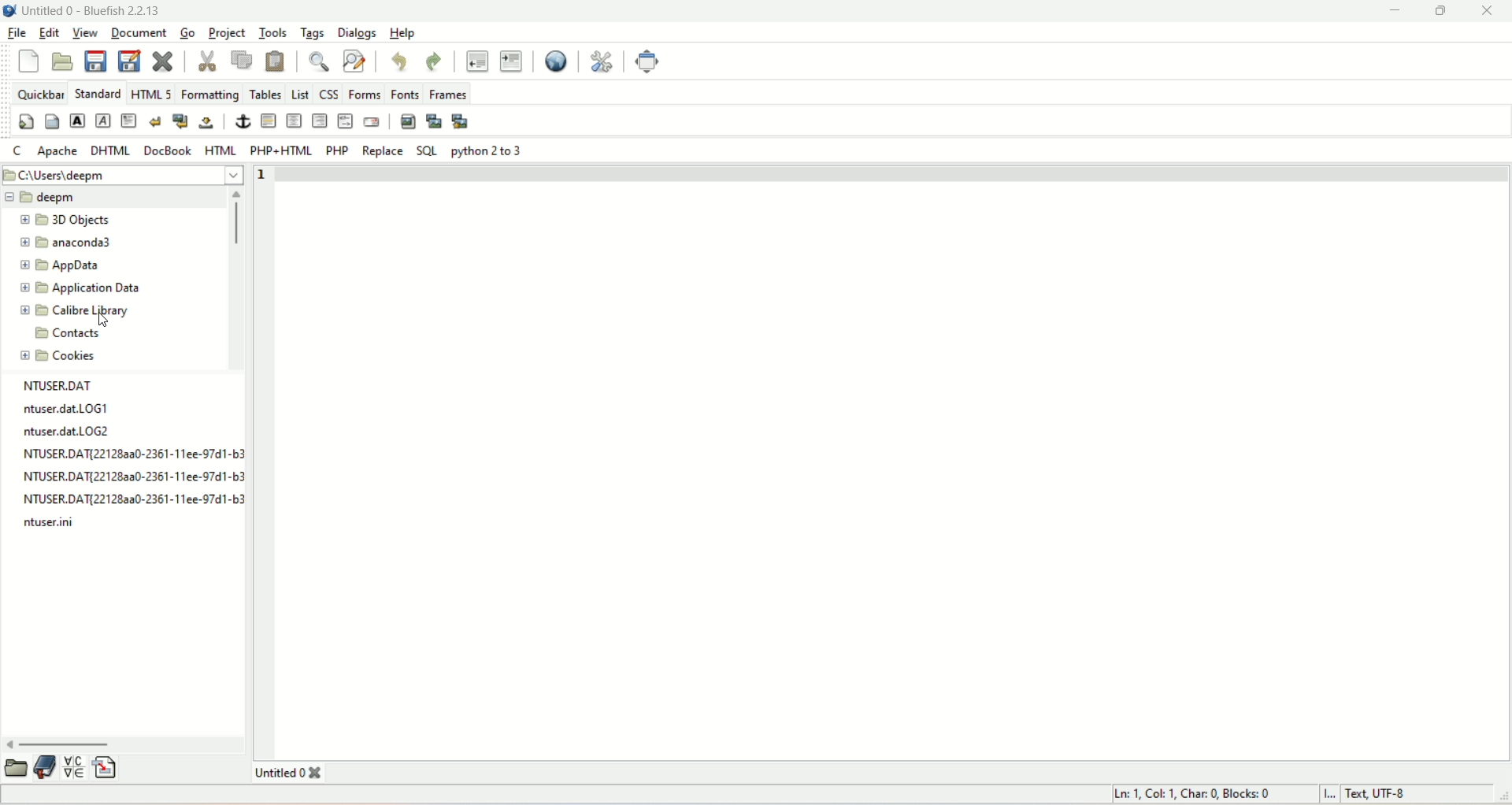 This screenshot has height=805, width=1512. What do you see at coordinates (61, 61) in the screenshot?
I see `open` at bounding box center [61, 61].